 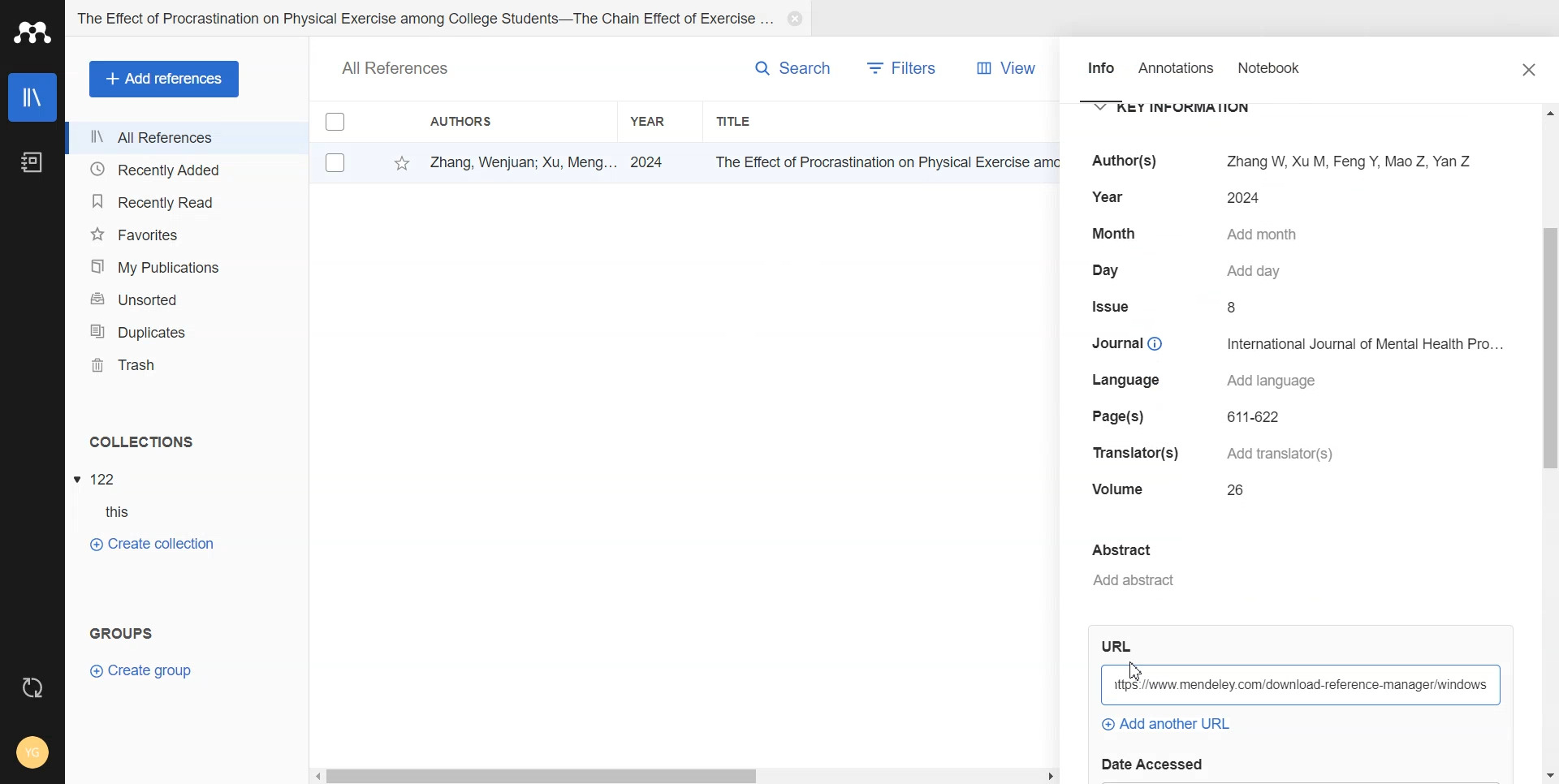 I want to click on Page(s) 611-622, so click(x=1190, y=416).